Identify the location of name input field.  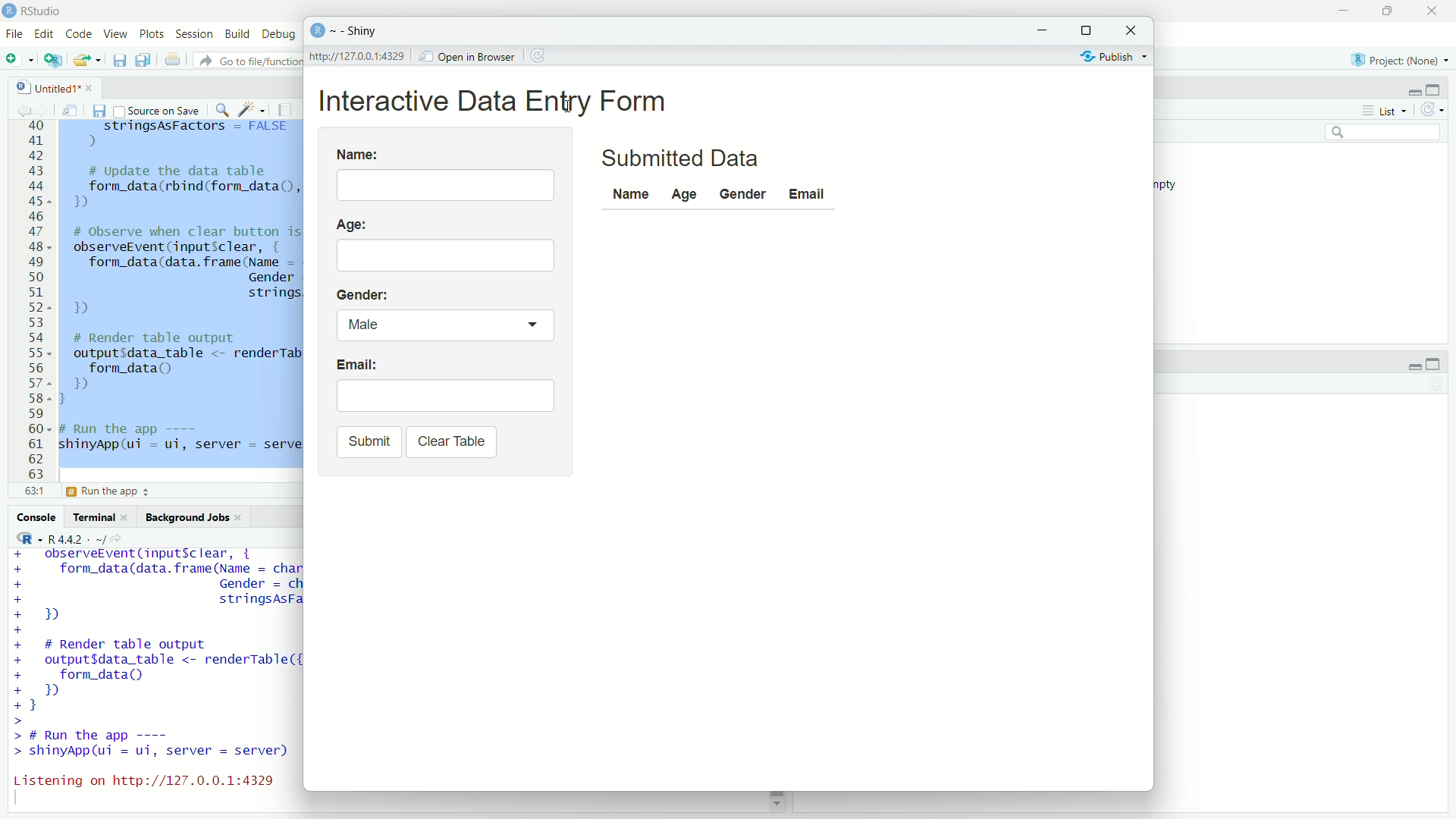
(447, 184).